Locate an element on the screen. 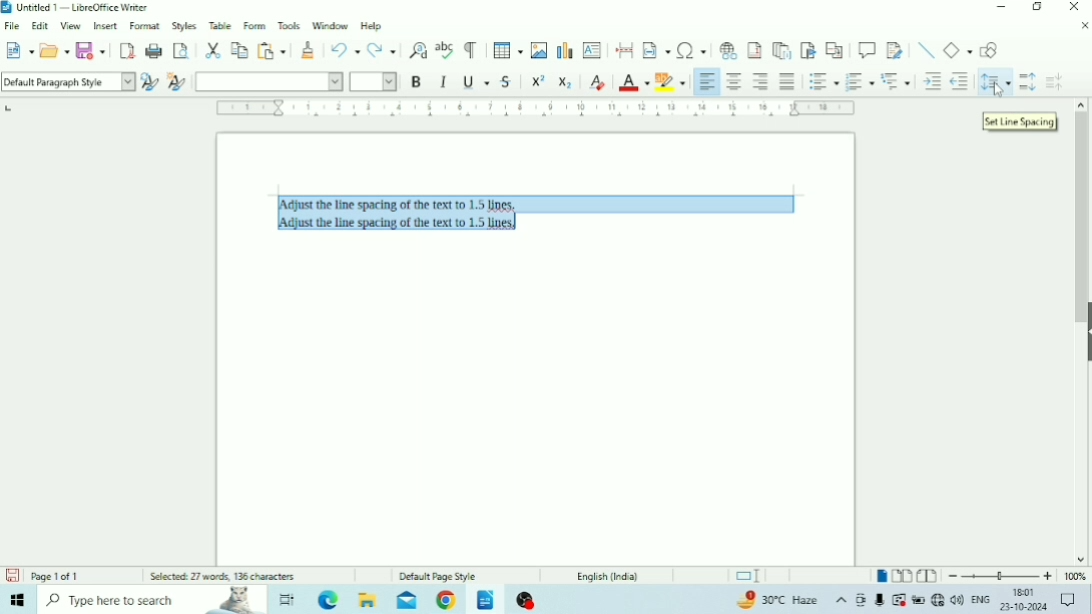 The height and width of the screenshot is (614, 1092). Single-page view is located at coordinates (882, 577).